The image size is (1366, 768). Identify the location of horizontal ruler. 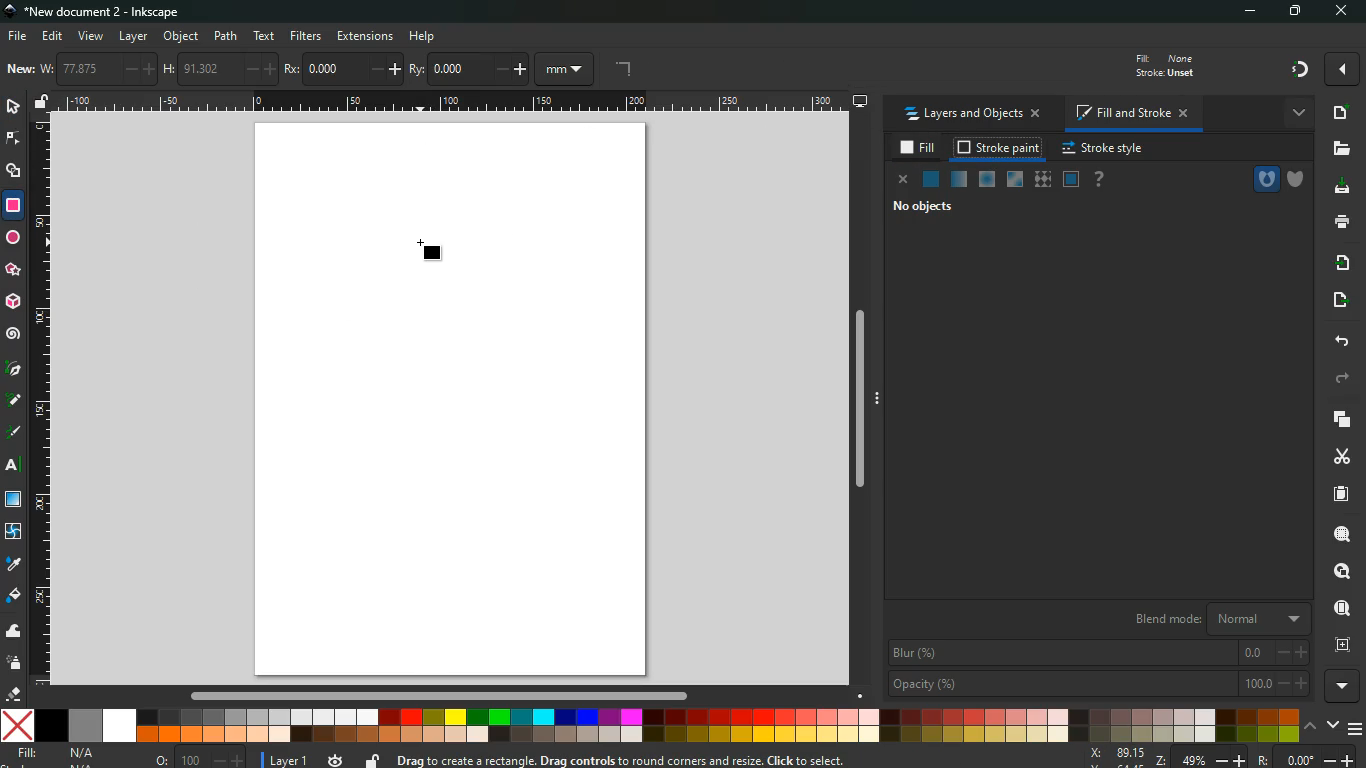
(448, 104).